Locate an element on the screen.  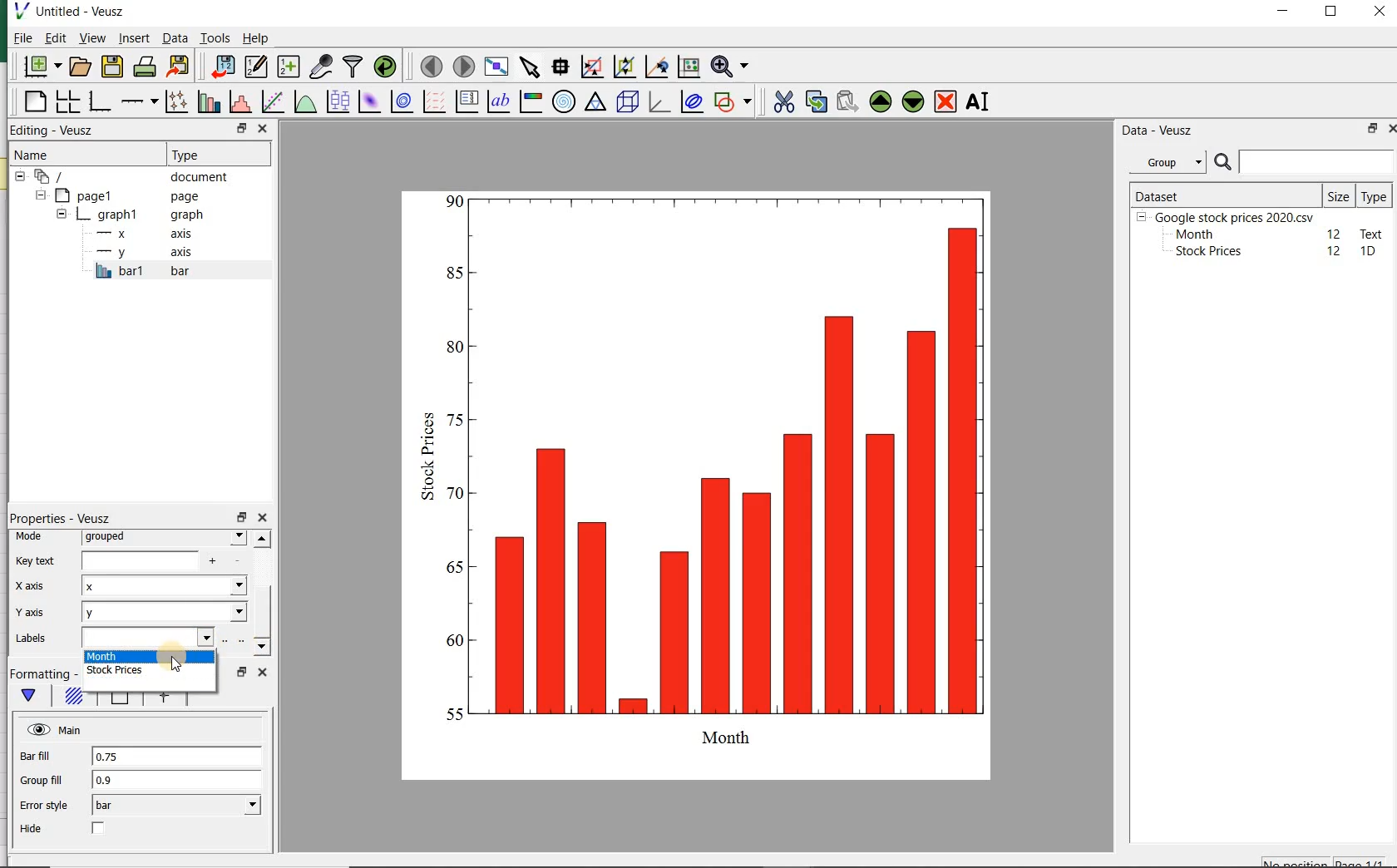
filter data is located at coordinates (353, 66).